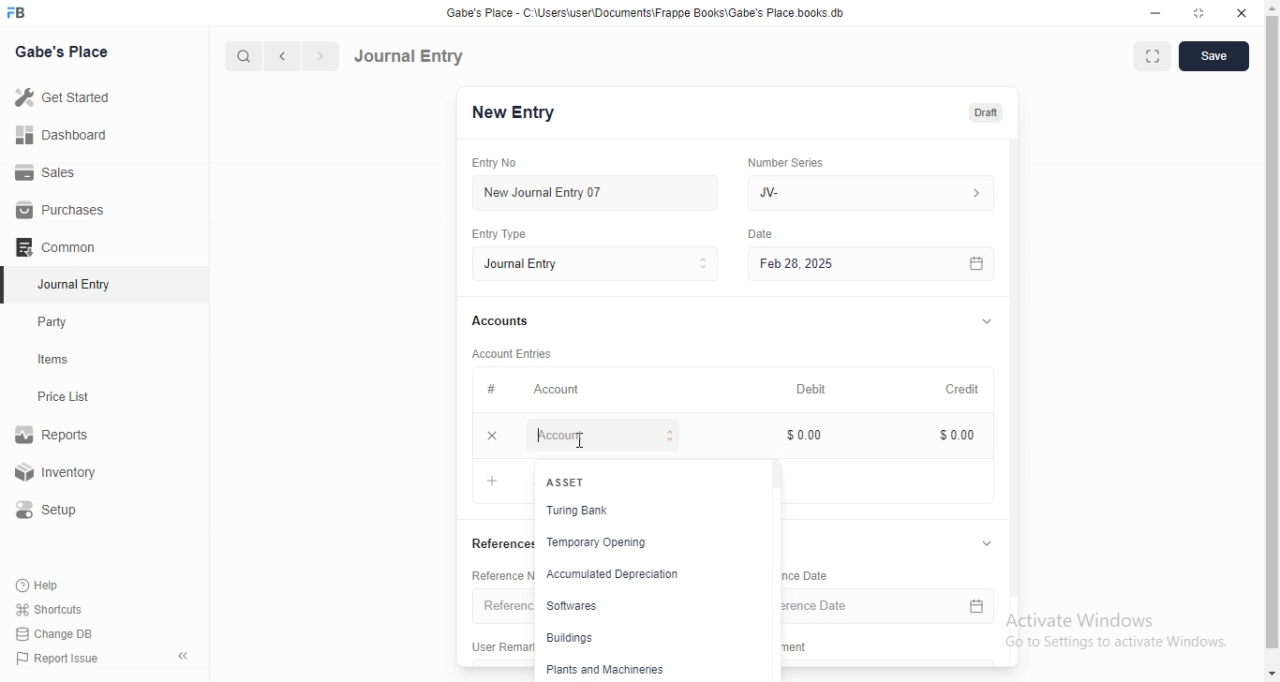 This screenshot has width=1280, height=682. What do you see at coordinates (521, 113) in the screenshot?
I see `New Entry` at bounding box center [521, 113].